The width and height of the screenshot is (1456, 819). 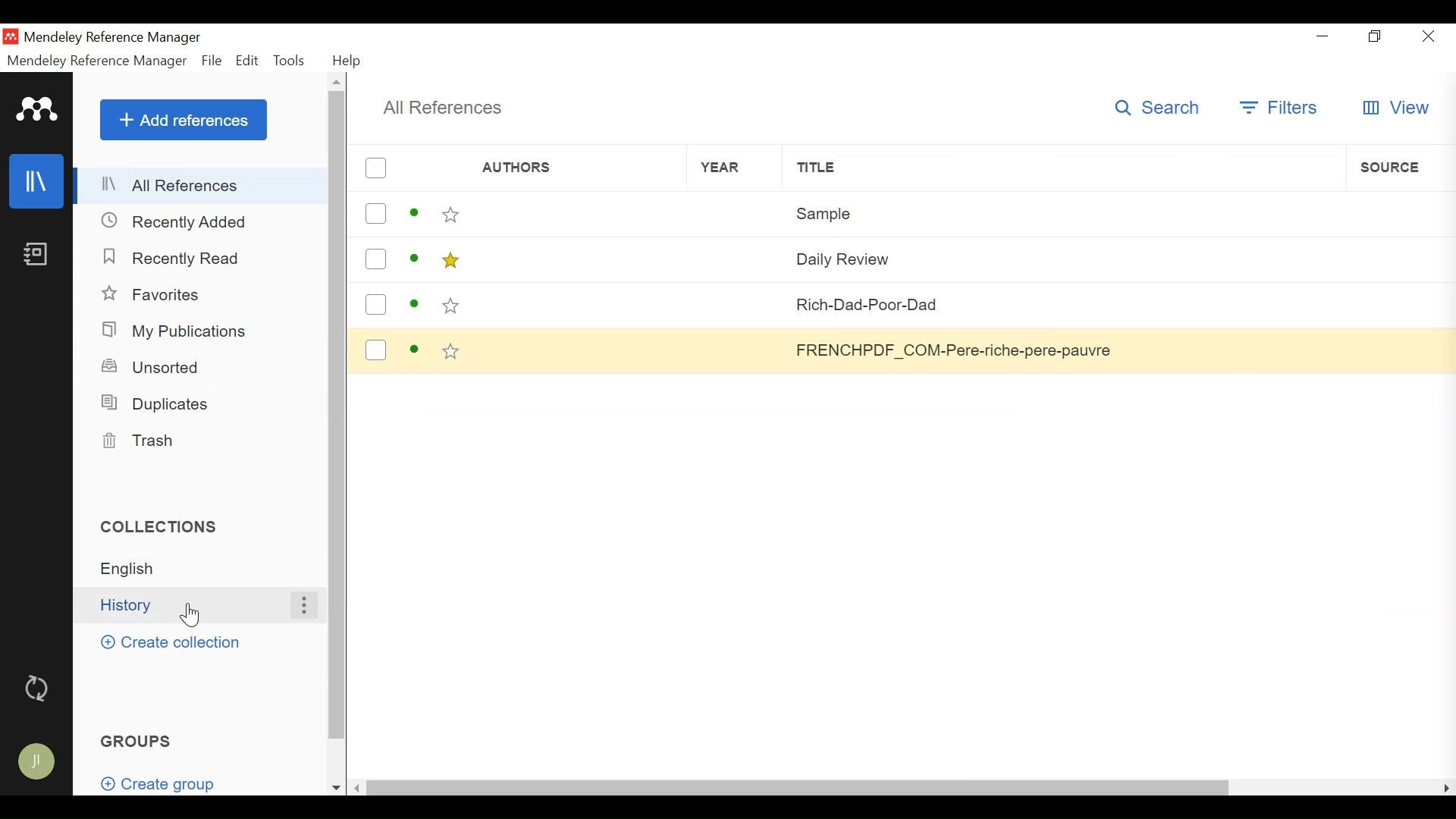 What do you see at coordinates (577, 214) in the screenshot?
I see `Authors` at bounding box center [577, 214].